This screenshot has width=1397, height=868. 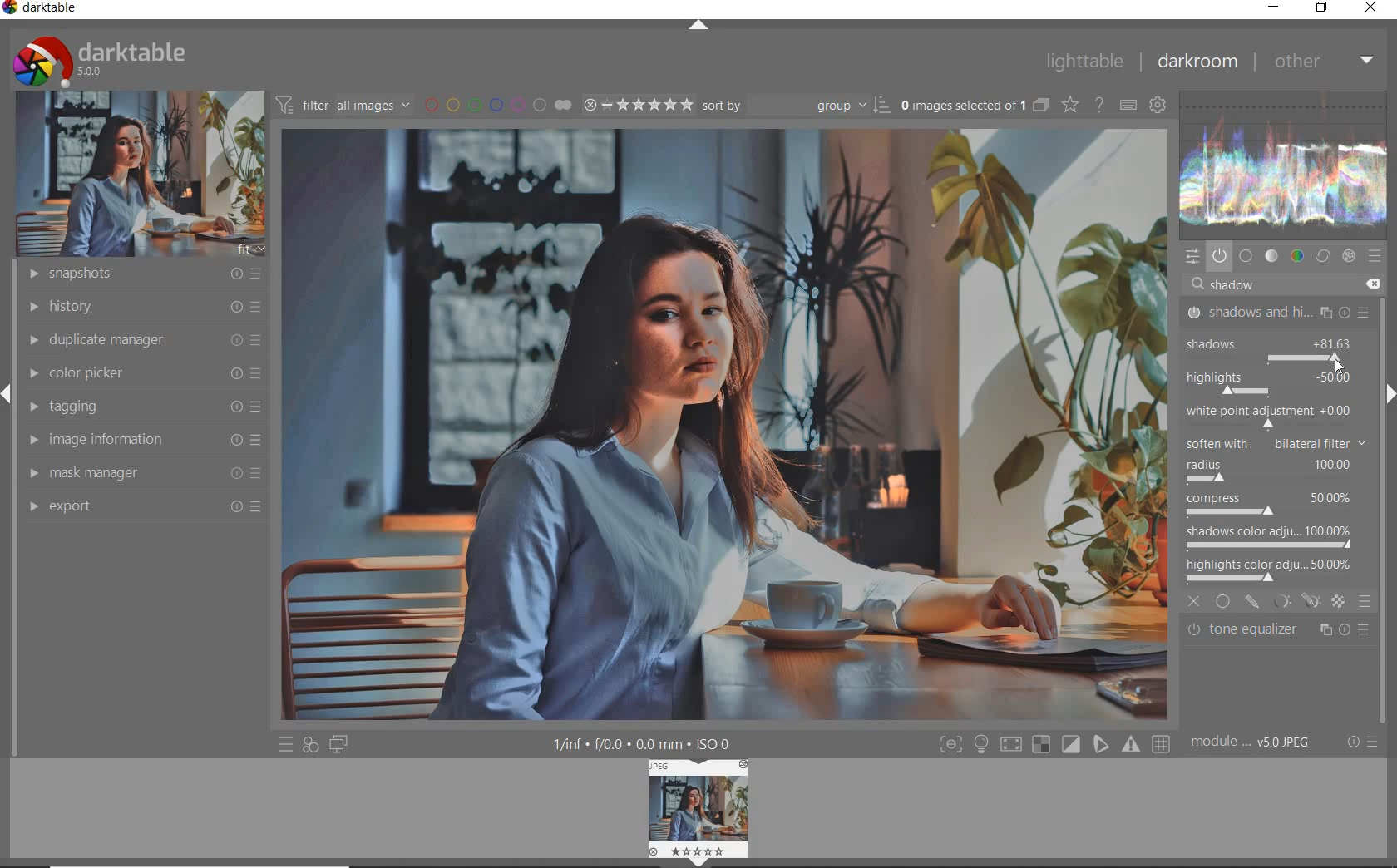 What do you see at coordinates (639, 105) in the screenshot?
I see `selected Image range rating` at bounding box center [639, 105].